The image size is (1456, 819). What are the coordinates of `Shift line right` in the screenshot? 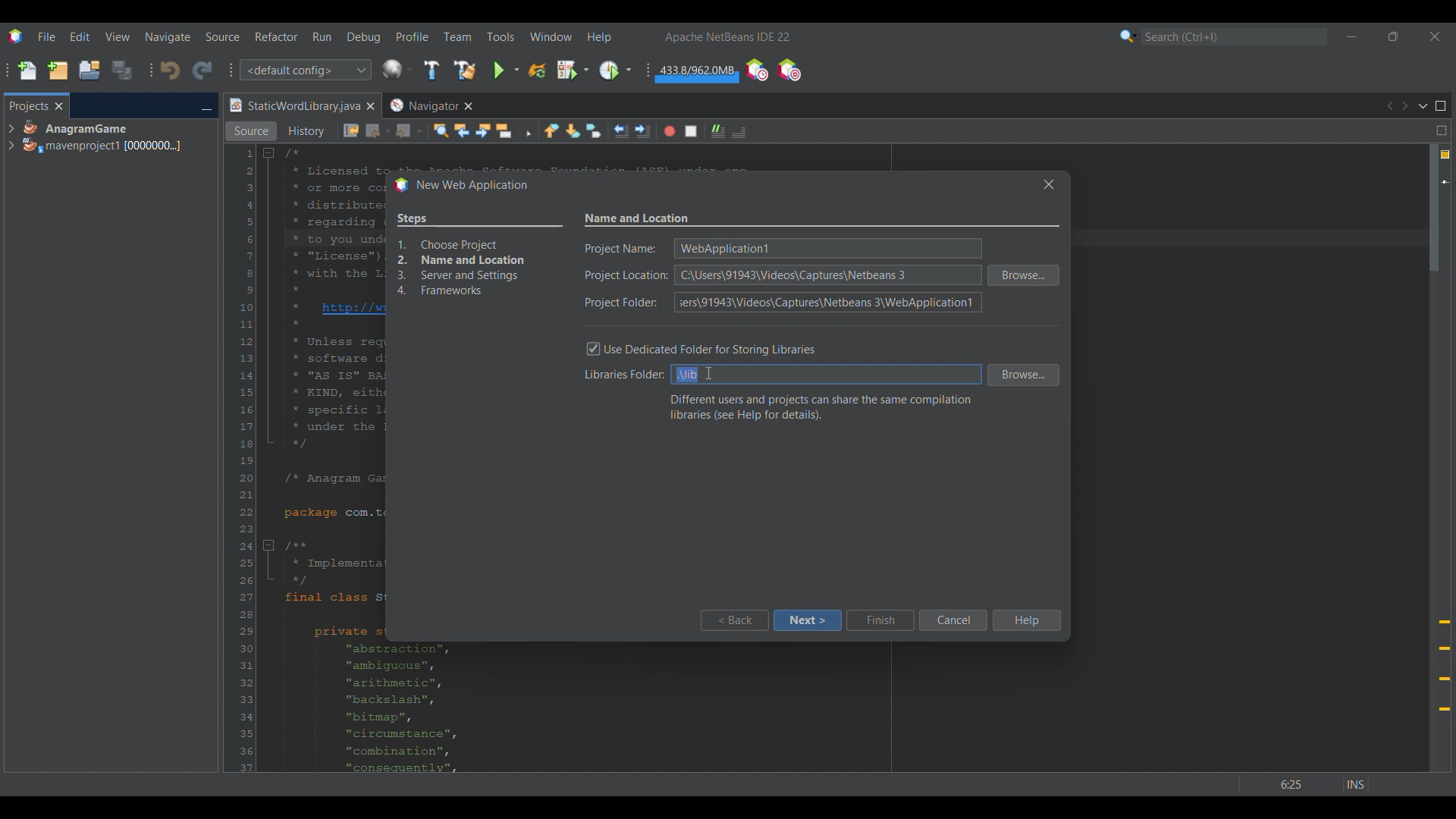 It's located at (642, 131).